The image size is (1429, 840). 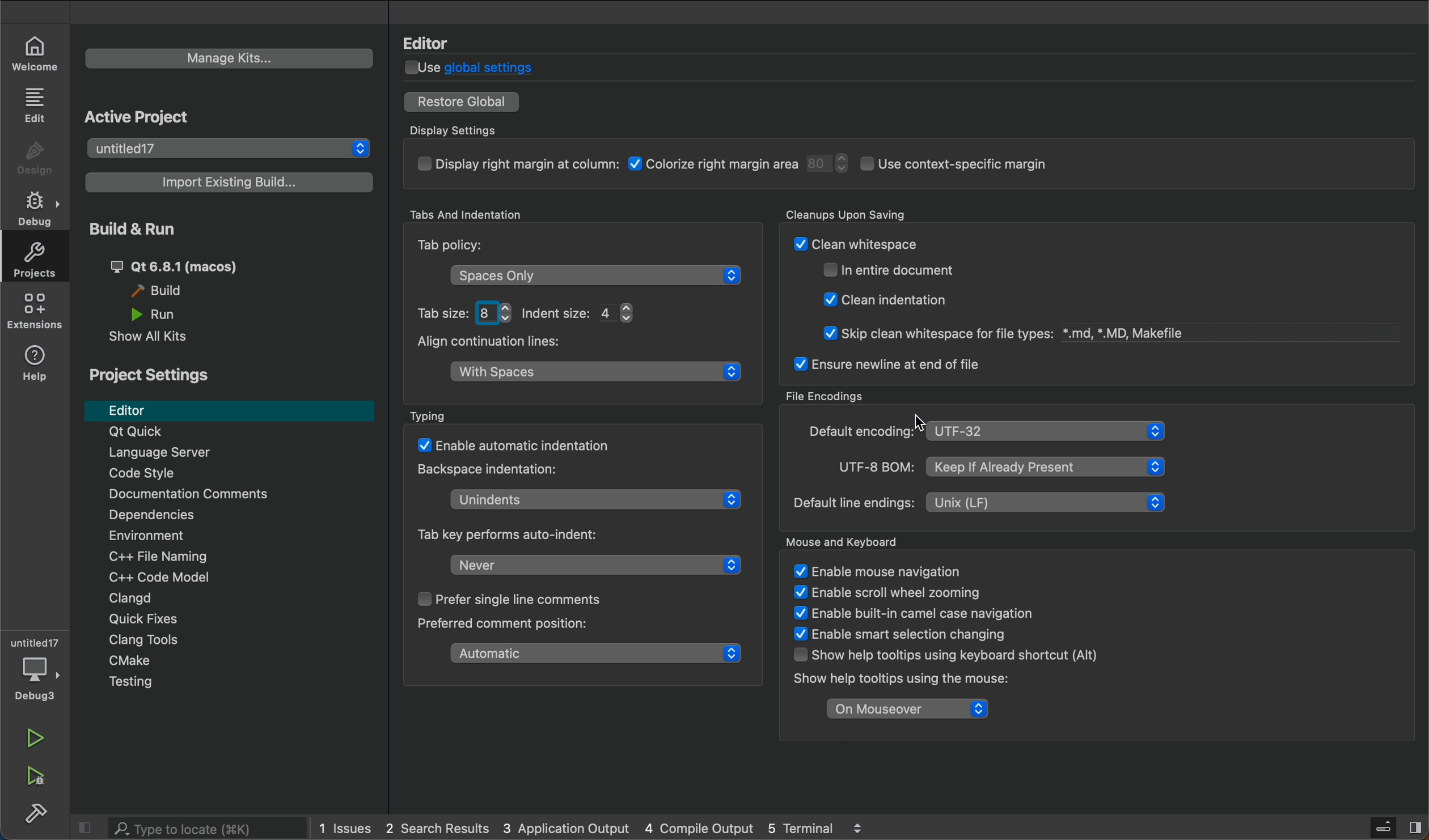 I want to click on WT LHaVie oltial L oFiTL Uv Llhaliginiy
Show help tooltips using keyboard shortcut (Alt), so click(x=942, y=656).